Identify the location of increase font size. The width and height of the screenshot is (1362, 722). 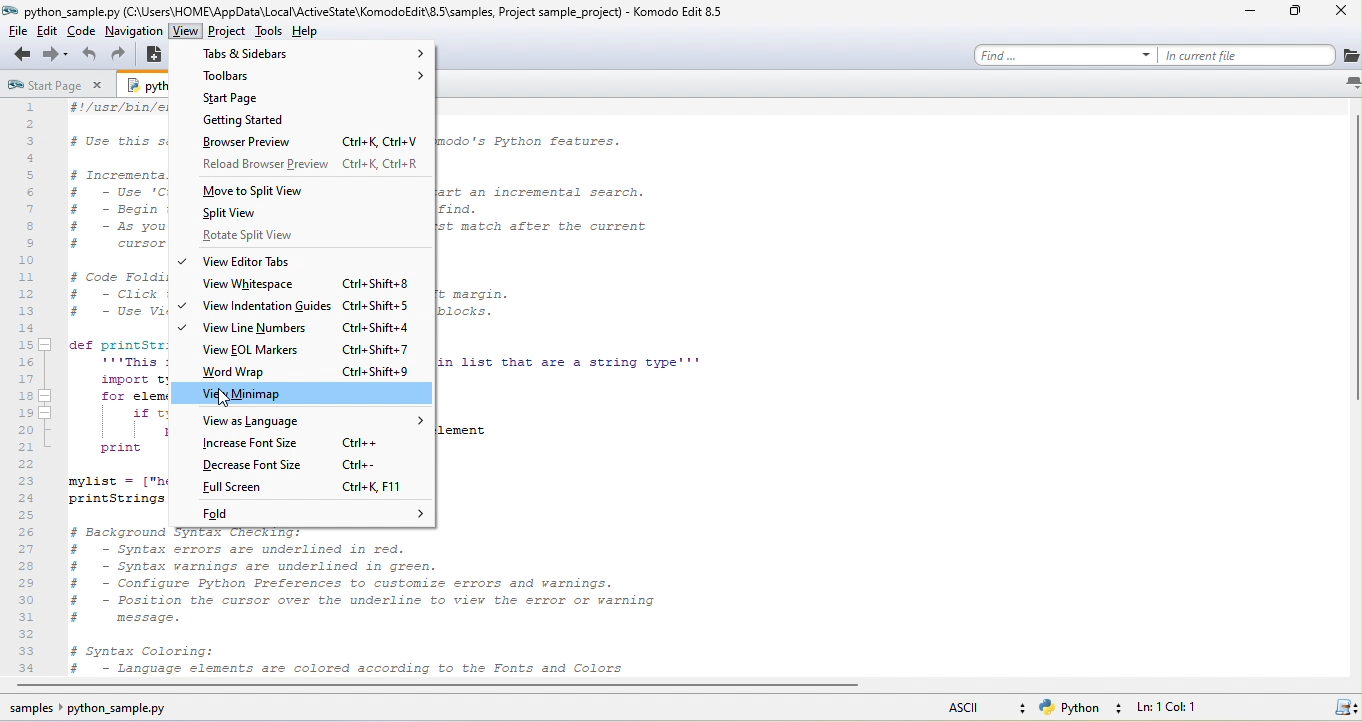
(296, 443).